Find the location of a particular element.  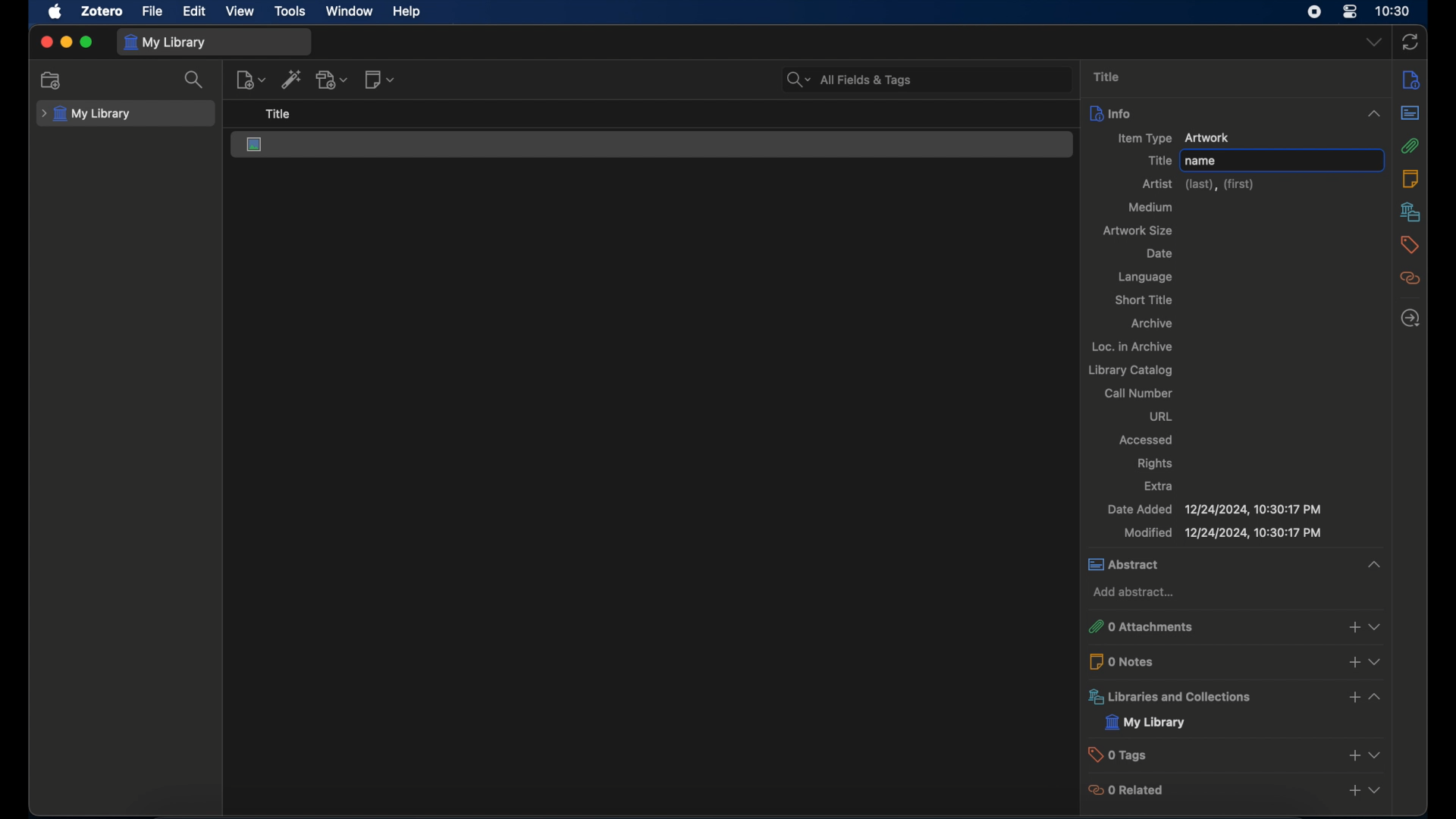

new item is located at coordinates (250, 80).